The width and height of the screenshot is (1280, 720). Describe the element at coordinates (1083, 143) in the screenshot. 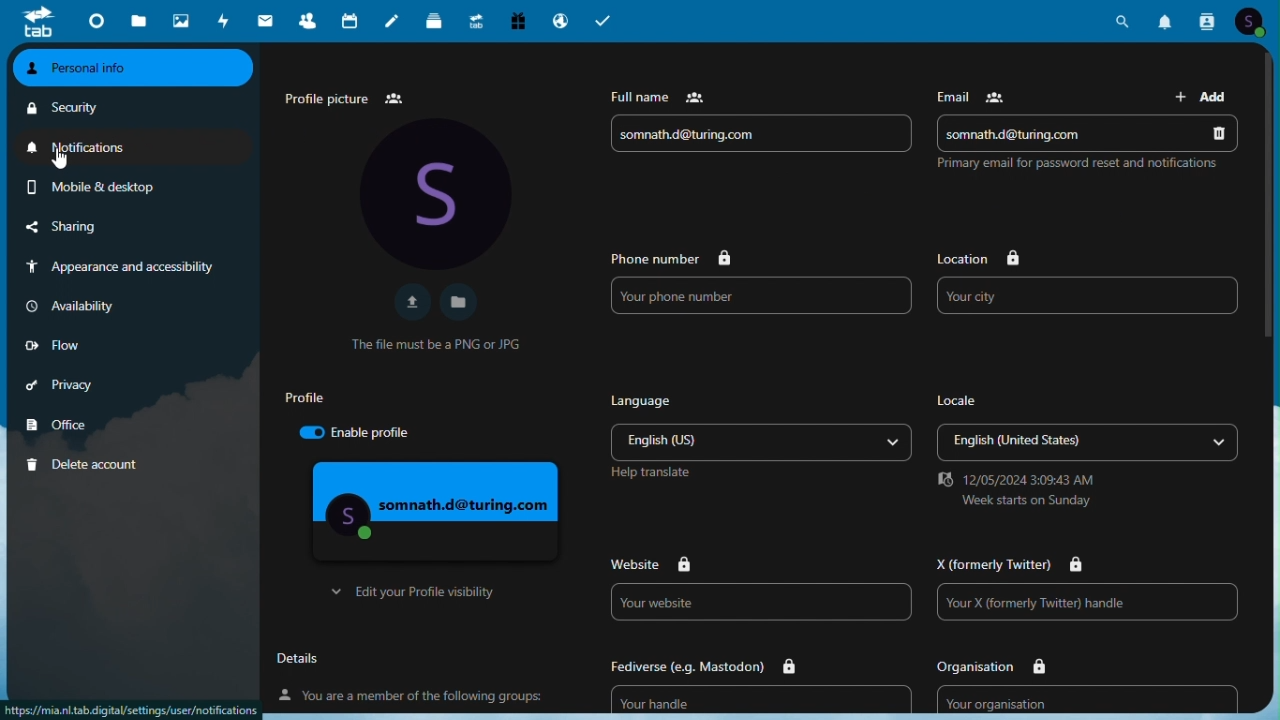

I see `Email` at that location.